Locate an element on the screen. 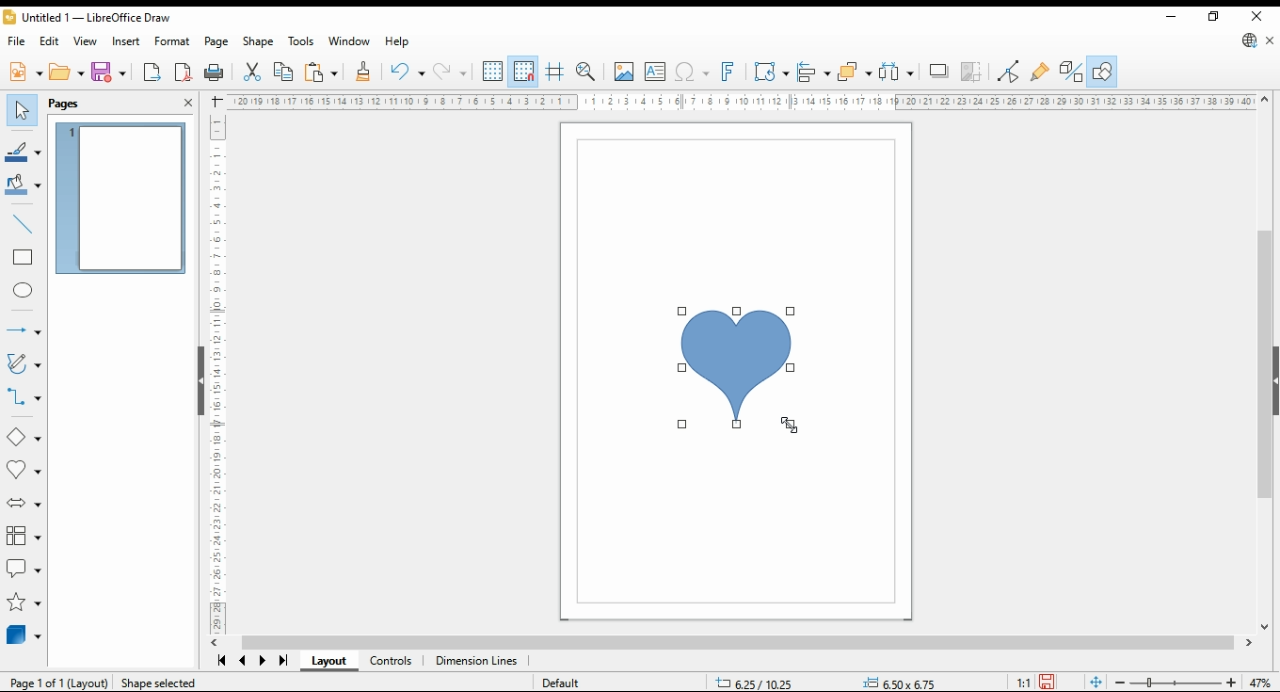 Image resolution: width=1280 pixels, height=692 pixels. lines and arrows is located at coordinates (23, 327).